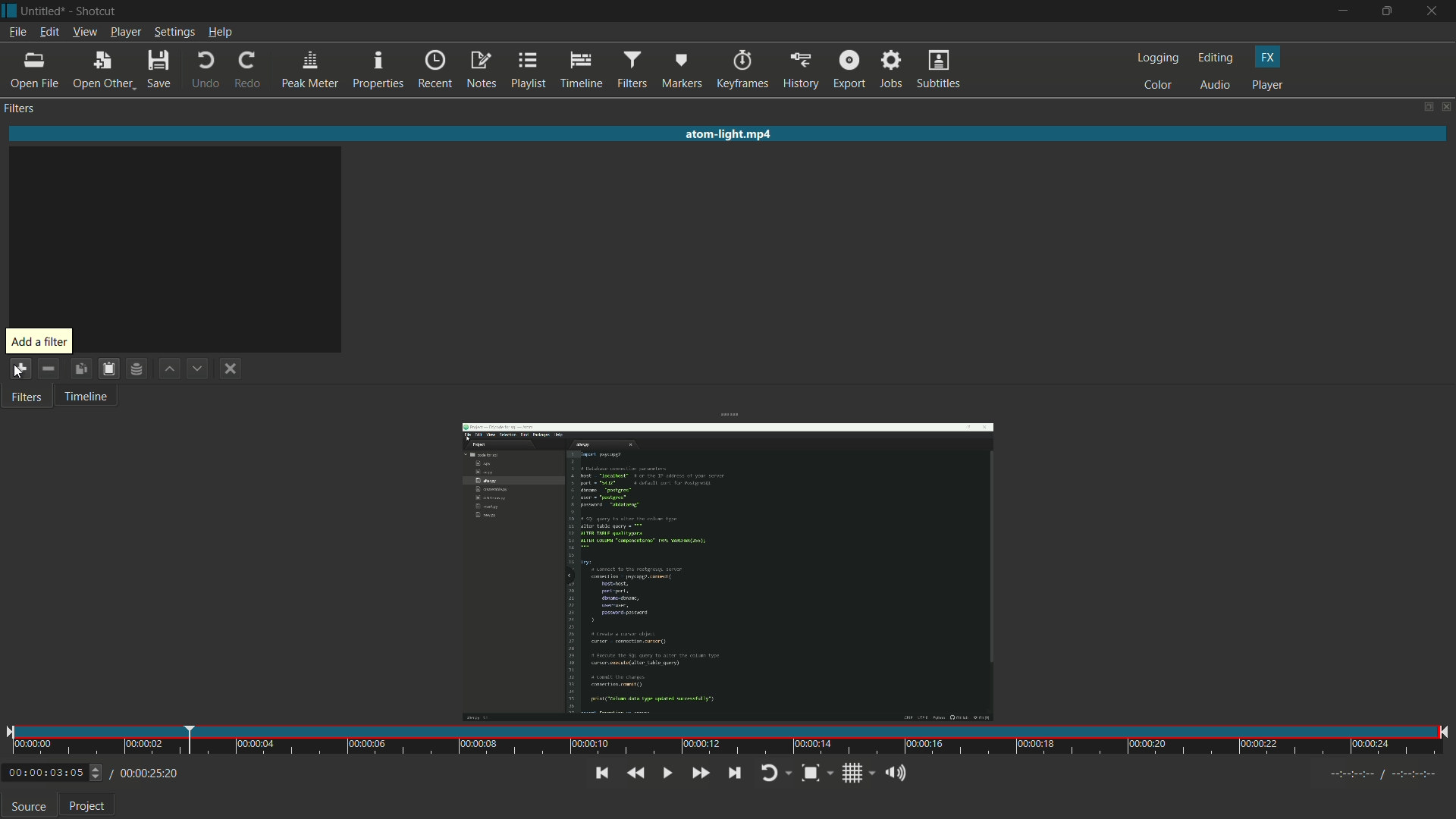 The height and width of the screenshot is (819, 1456). I want to click on move filter up, so click(167, 369).